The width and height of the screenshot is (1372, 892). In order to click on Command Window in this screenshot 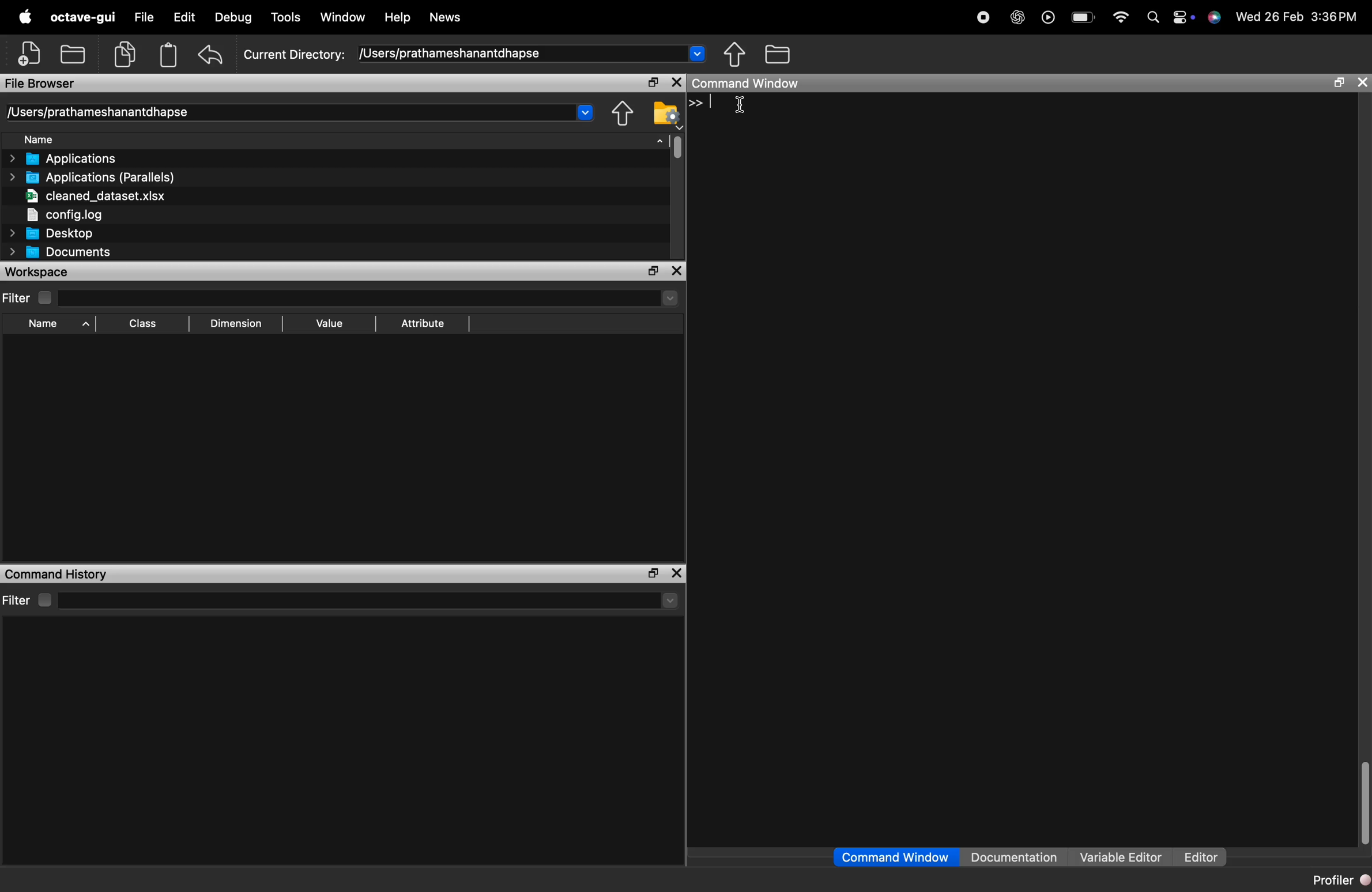, I will do `click(891, 857)`.